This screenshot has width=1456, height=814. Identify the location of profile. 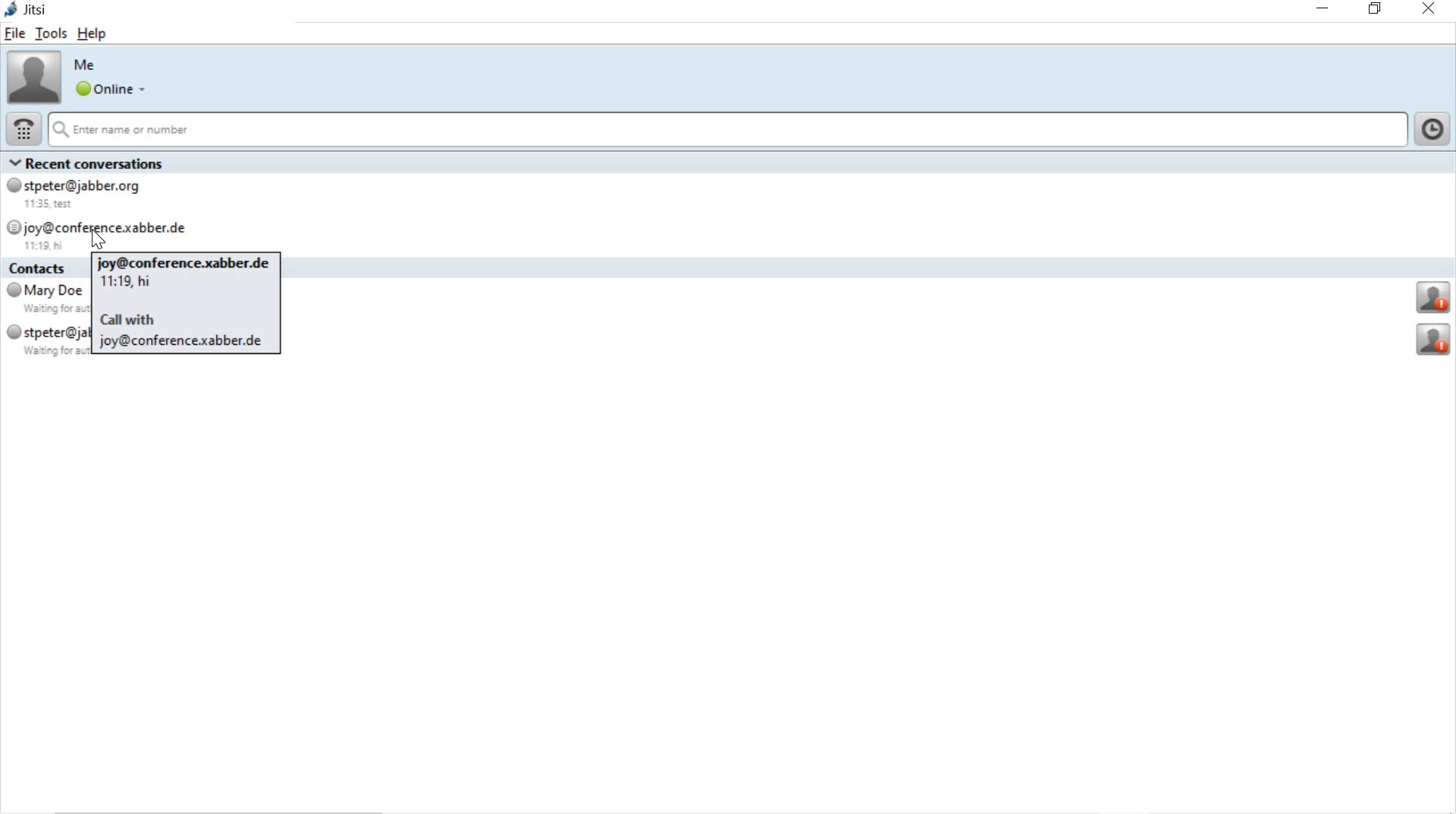
(1435, 341).